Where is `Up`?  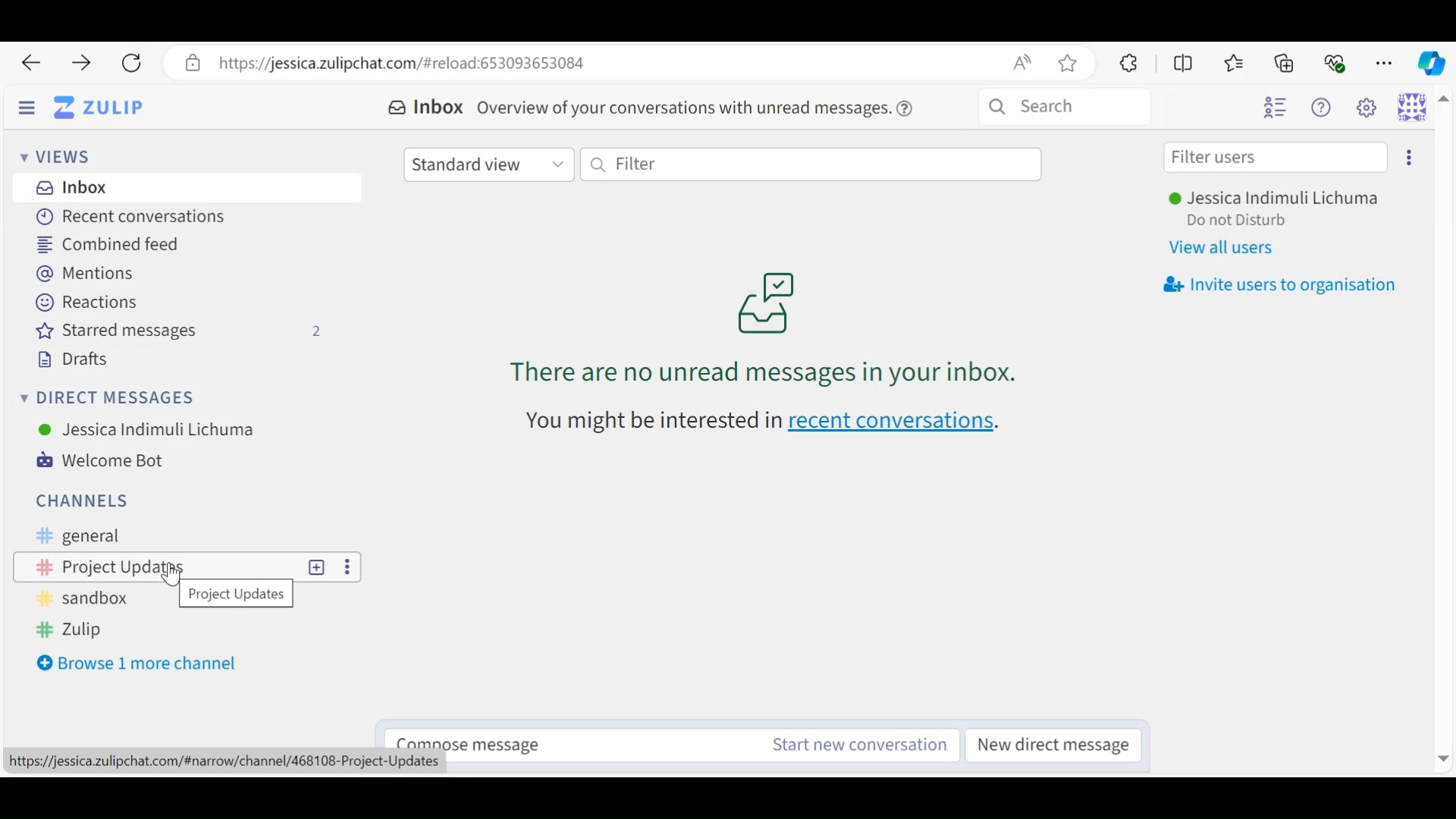
Up is located at coordinates (1444, 101).